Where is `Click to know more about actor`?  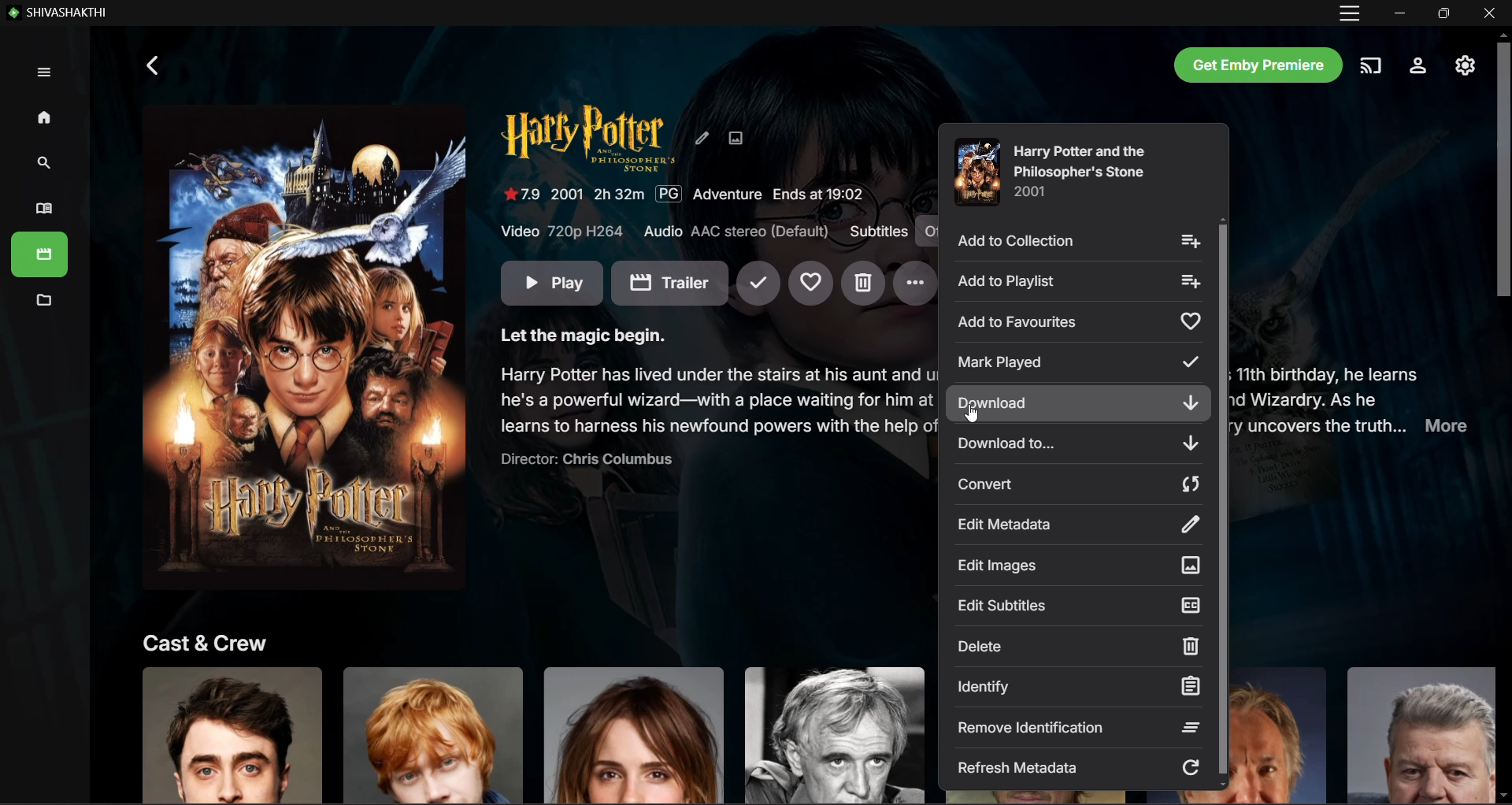
Click to know more about actor is located at coordinates (1035, 798).